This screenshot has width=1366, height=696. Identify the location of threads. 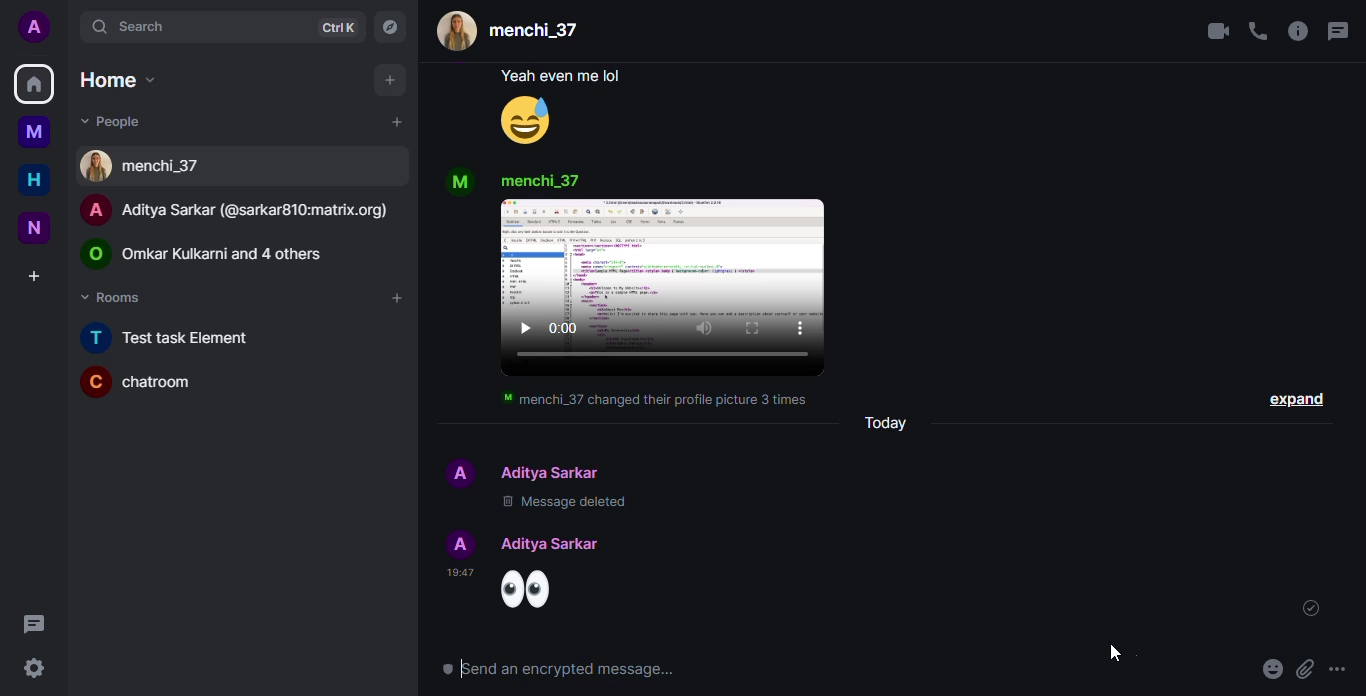
(1336, 31).